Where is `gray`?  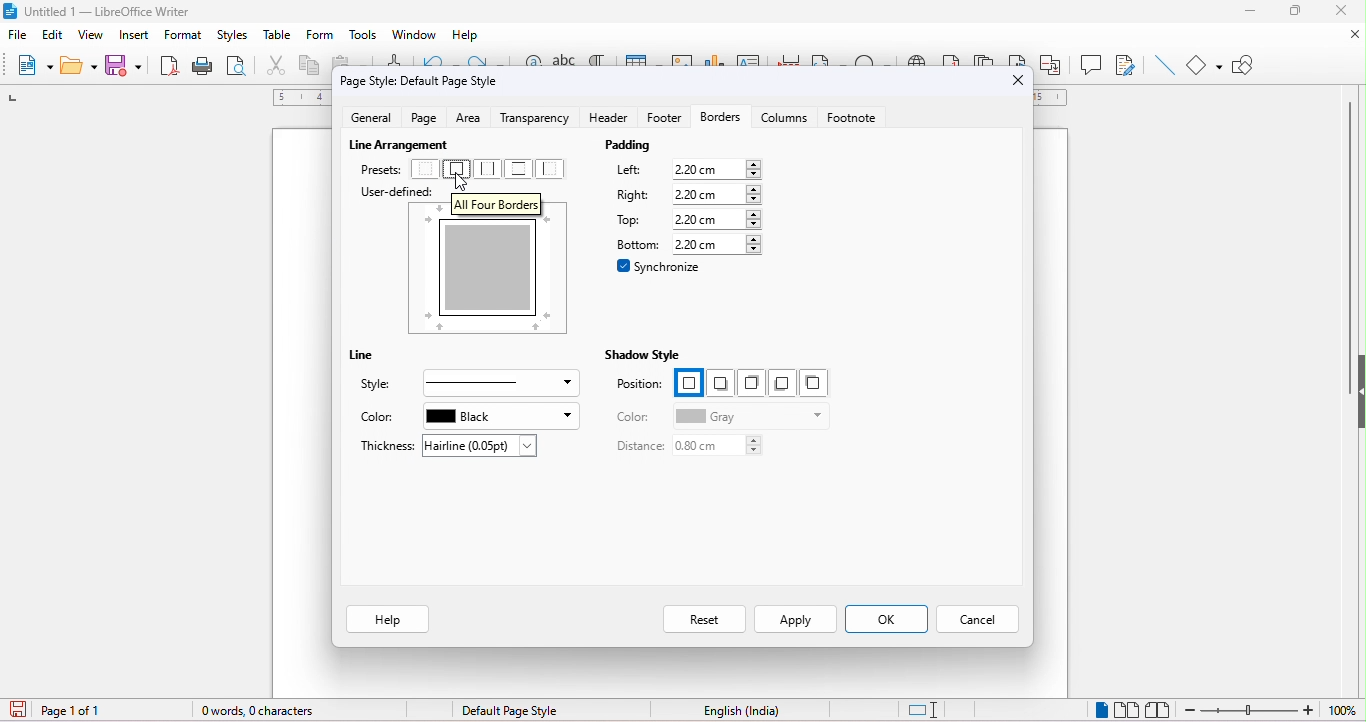 gray is located at coordinates (746, 416).